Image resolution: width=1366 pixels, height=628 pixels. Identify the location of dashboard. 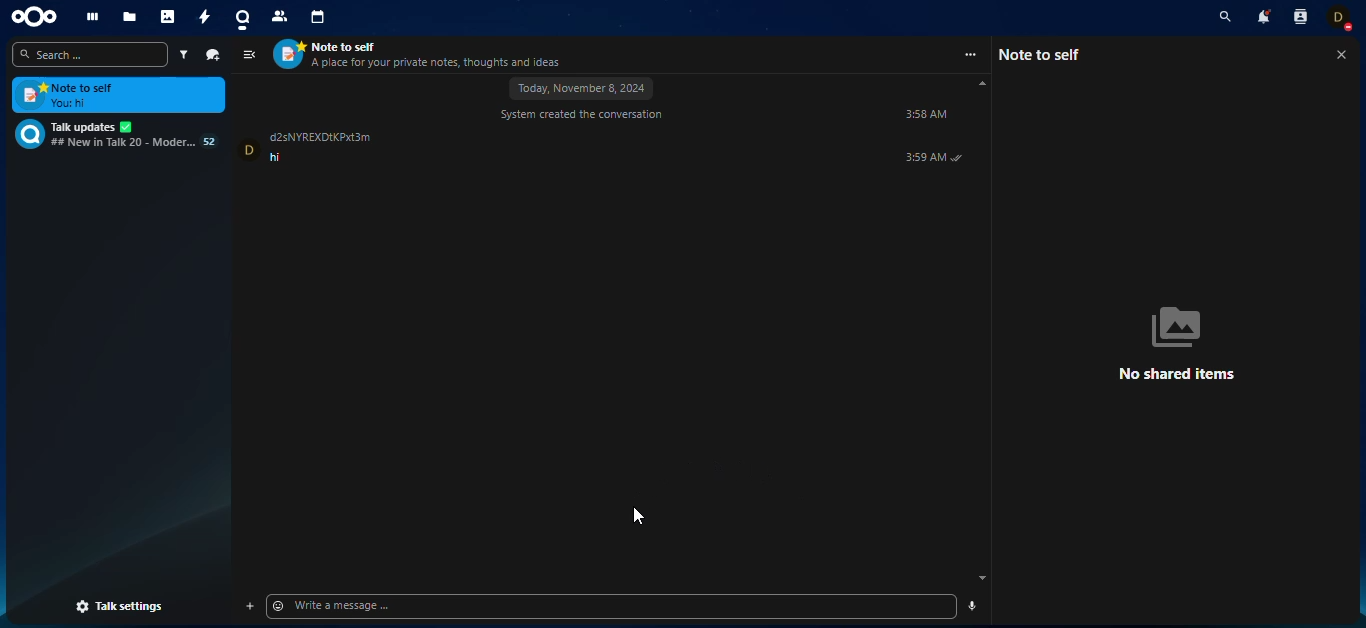
(93, 16).